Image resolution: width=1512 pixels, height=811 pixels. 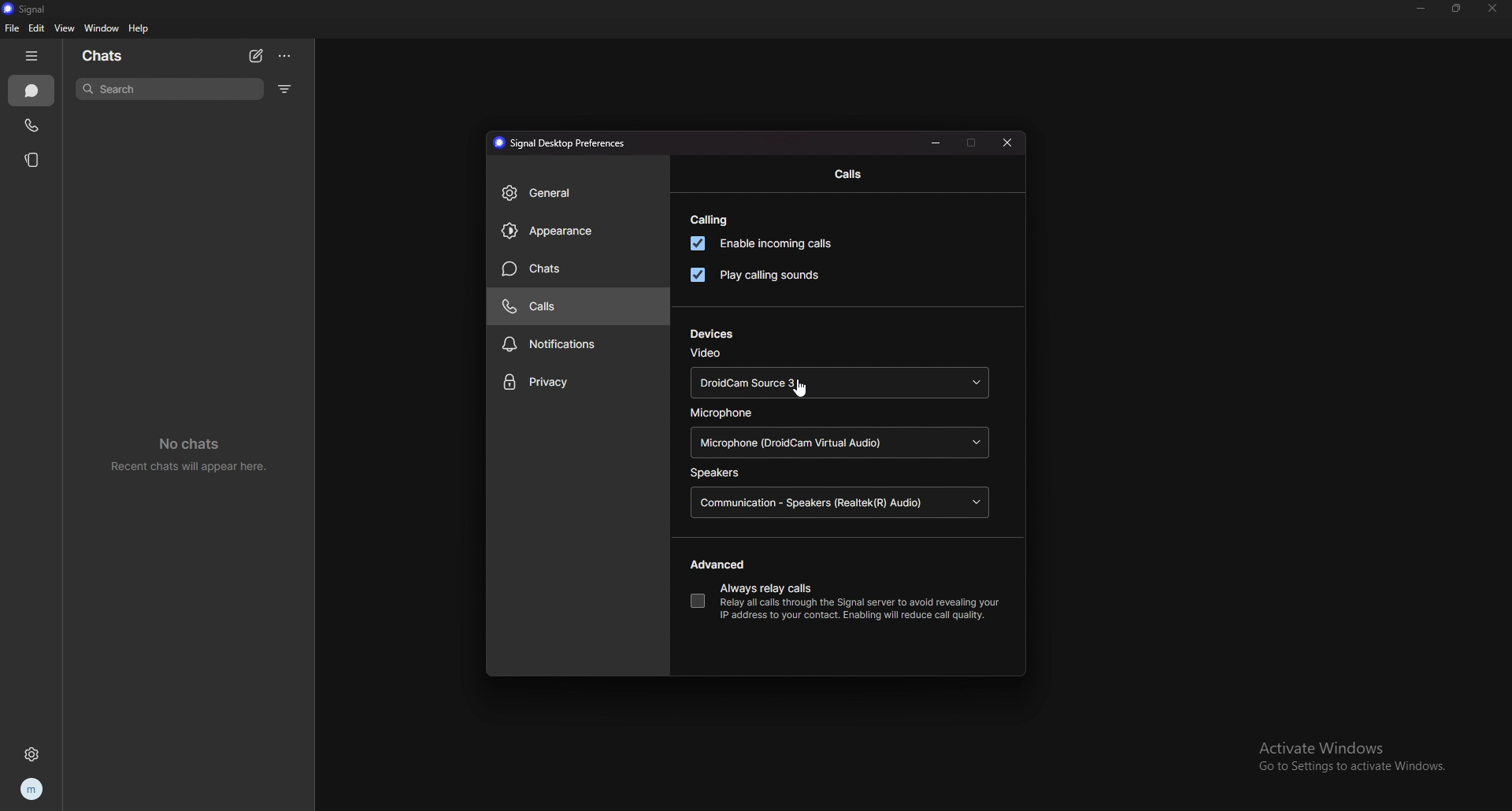 What do you see at coordinates (31, 791) in the screenshot?
I see `profile` at bounding box center [31, 791].